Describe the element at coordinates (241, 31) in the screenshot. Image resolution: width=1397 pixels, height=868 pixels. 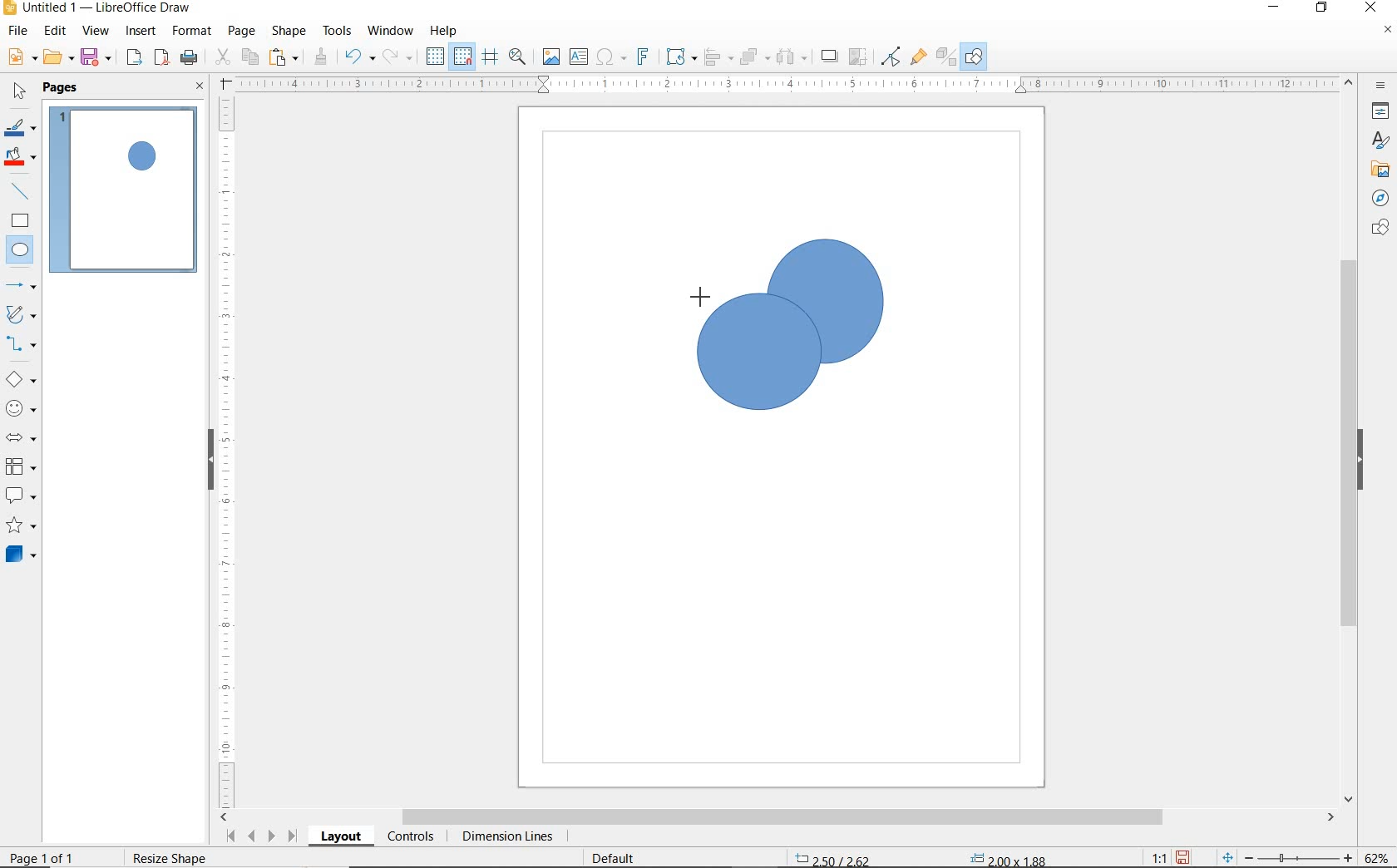
I see `PAGE` at that location.